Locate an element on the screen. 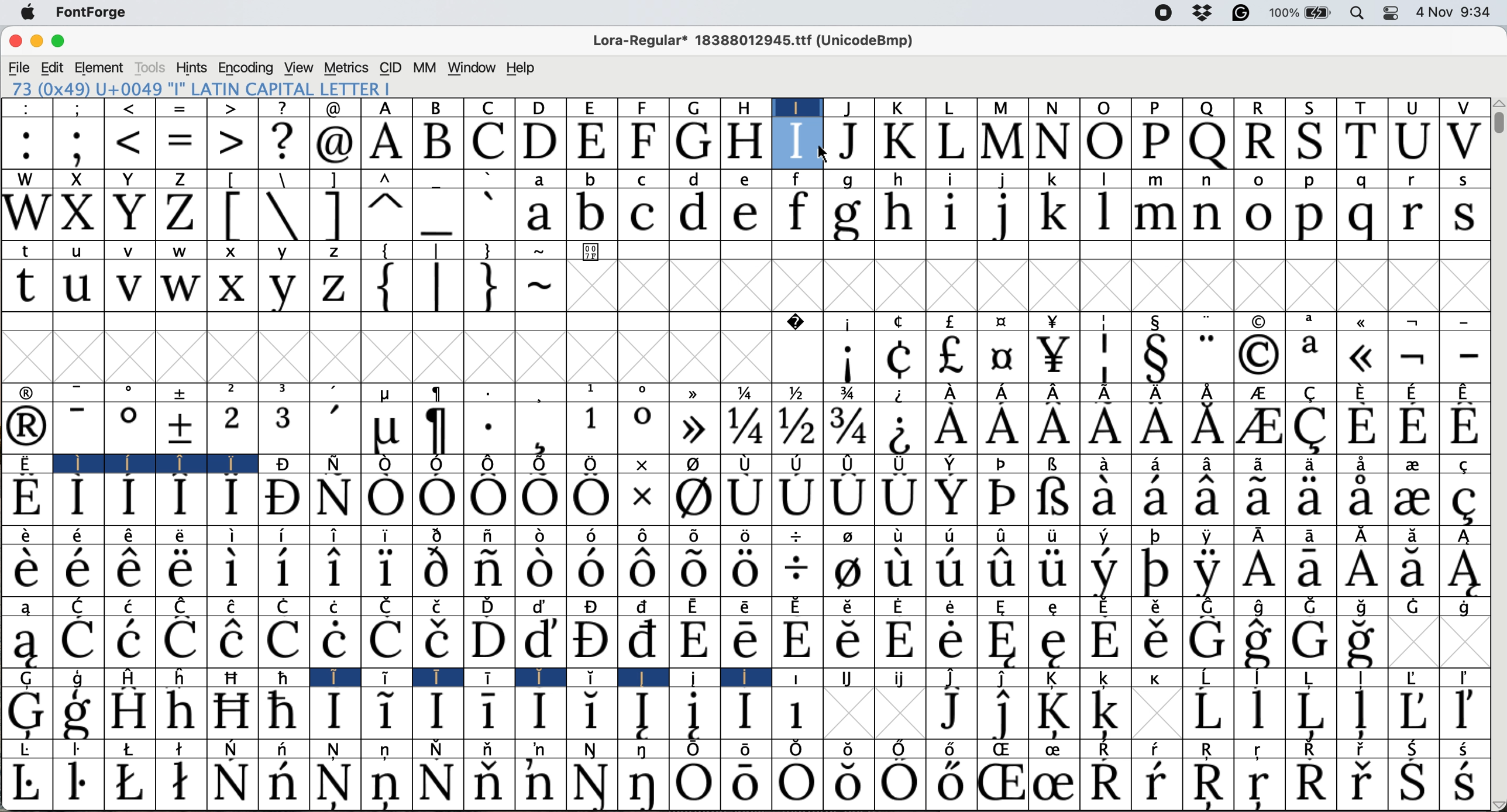 The image size is (1507, 812). Symbol is located at coordinates (1414, 465).